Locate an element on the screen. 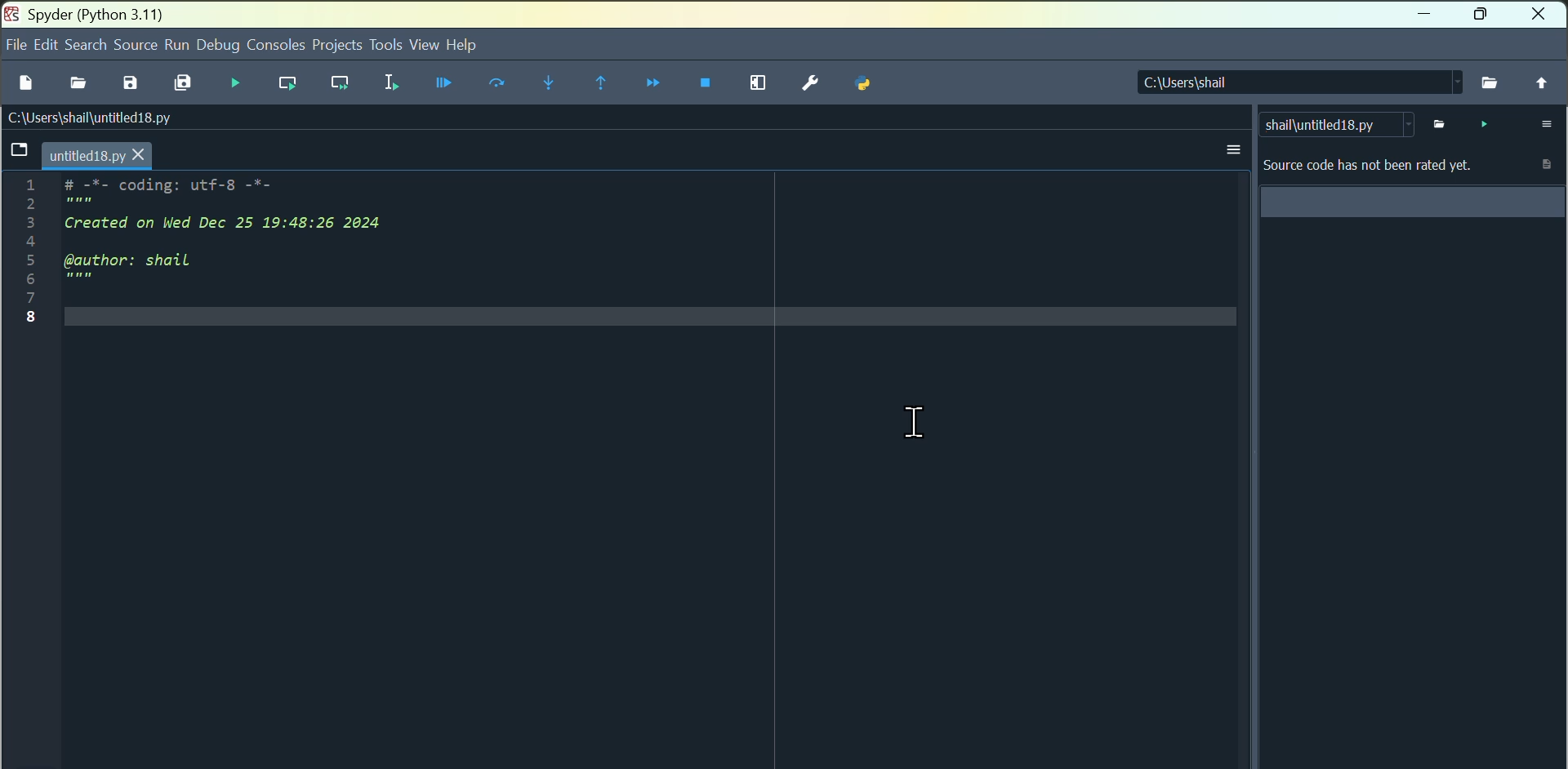 This screenshot has width=1568, height=769. maximise is located at coordinates (1484, 14).